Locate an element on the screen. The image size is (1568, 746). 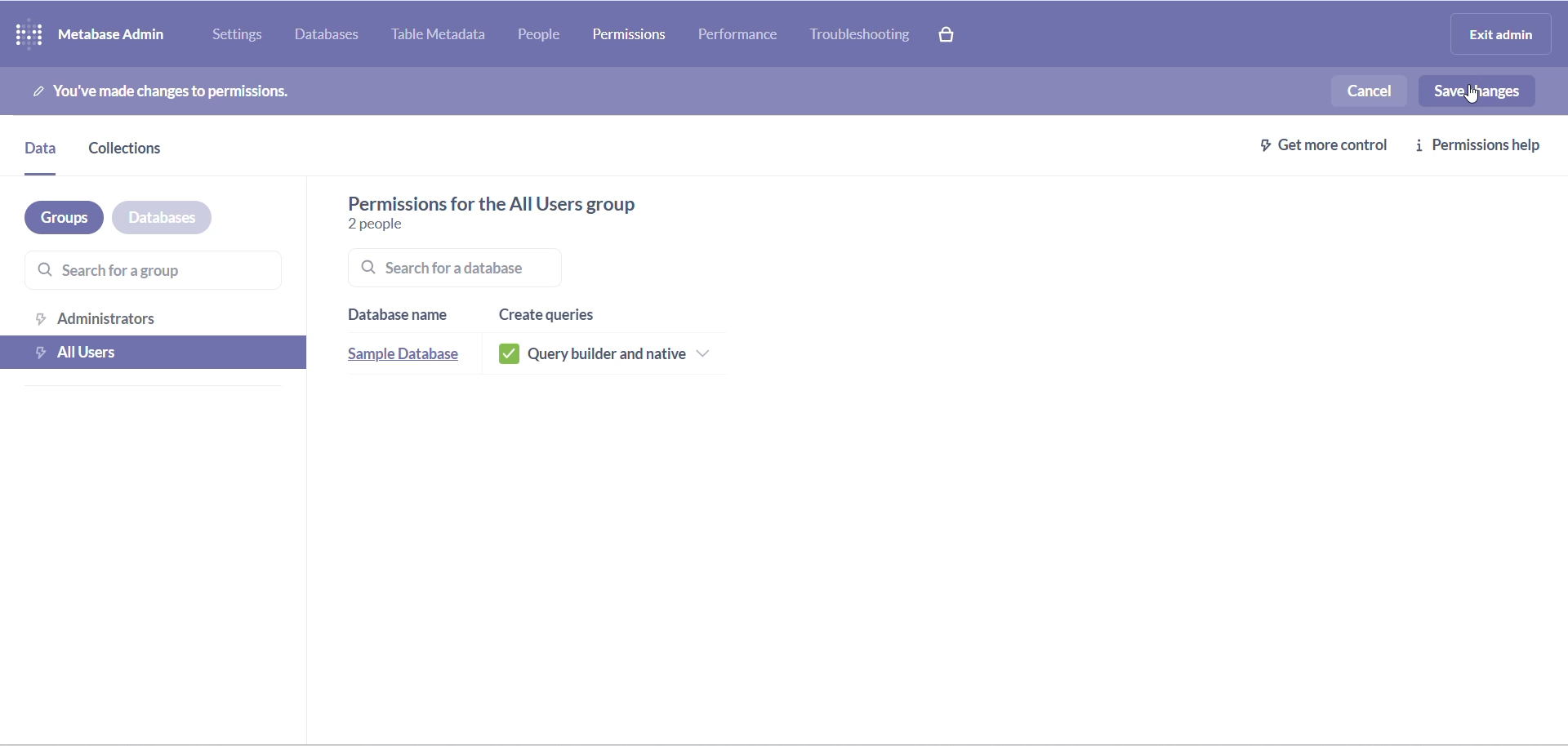
cancel text is located at coordinates (1365, 91).